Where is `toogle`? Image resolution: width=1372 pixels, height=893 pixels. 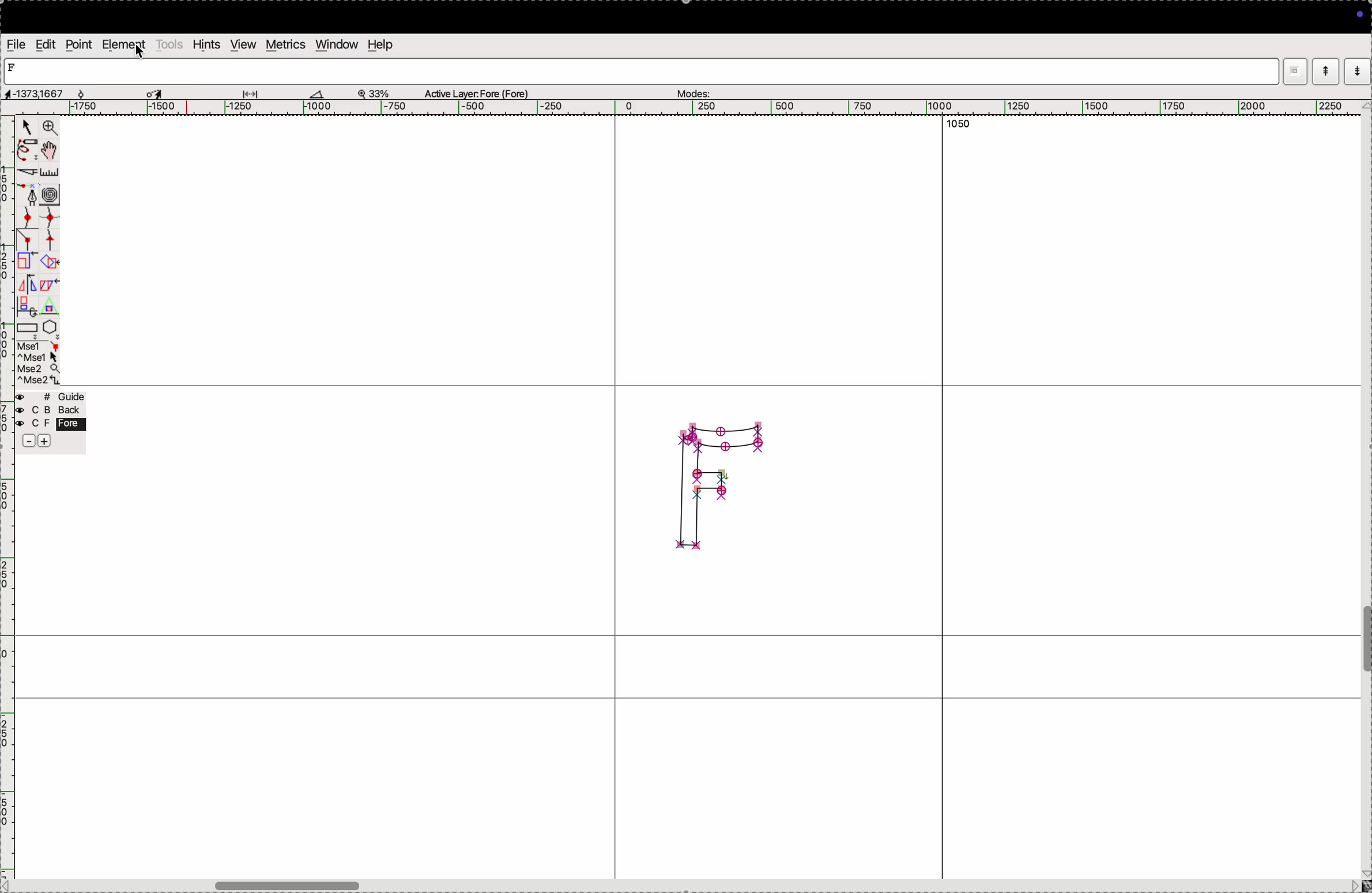 toogle is located at coordinates (1366, 643).